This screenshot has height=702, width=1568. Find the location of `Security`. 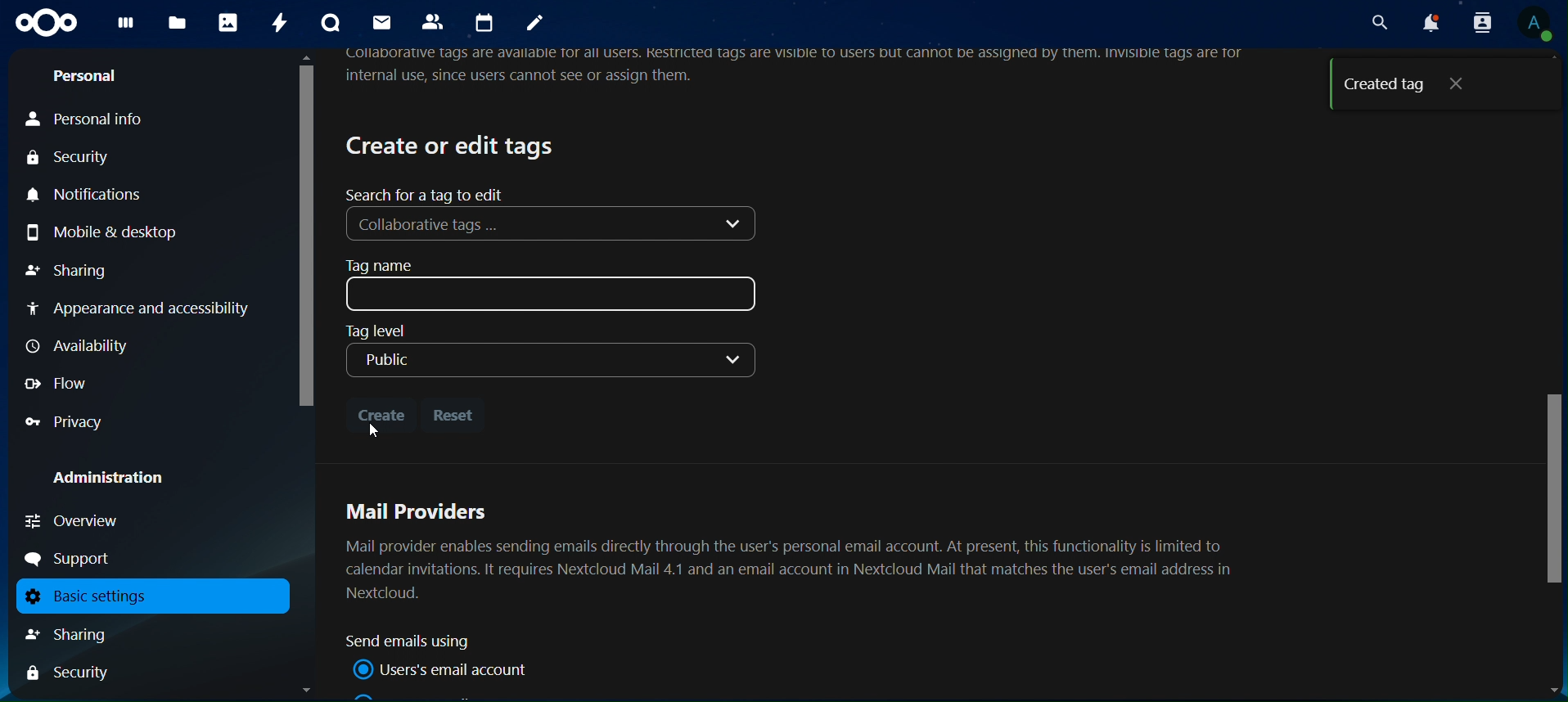

Security is located at coordinates (69, 674).